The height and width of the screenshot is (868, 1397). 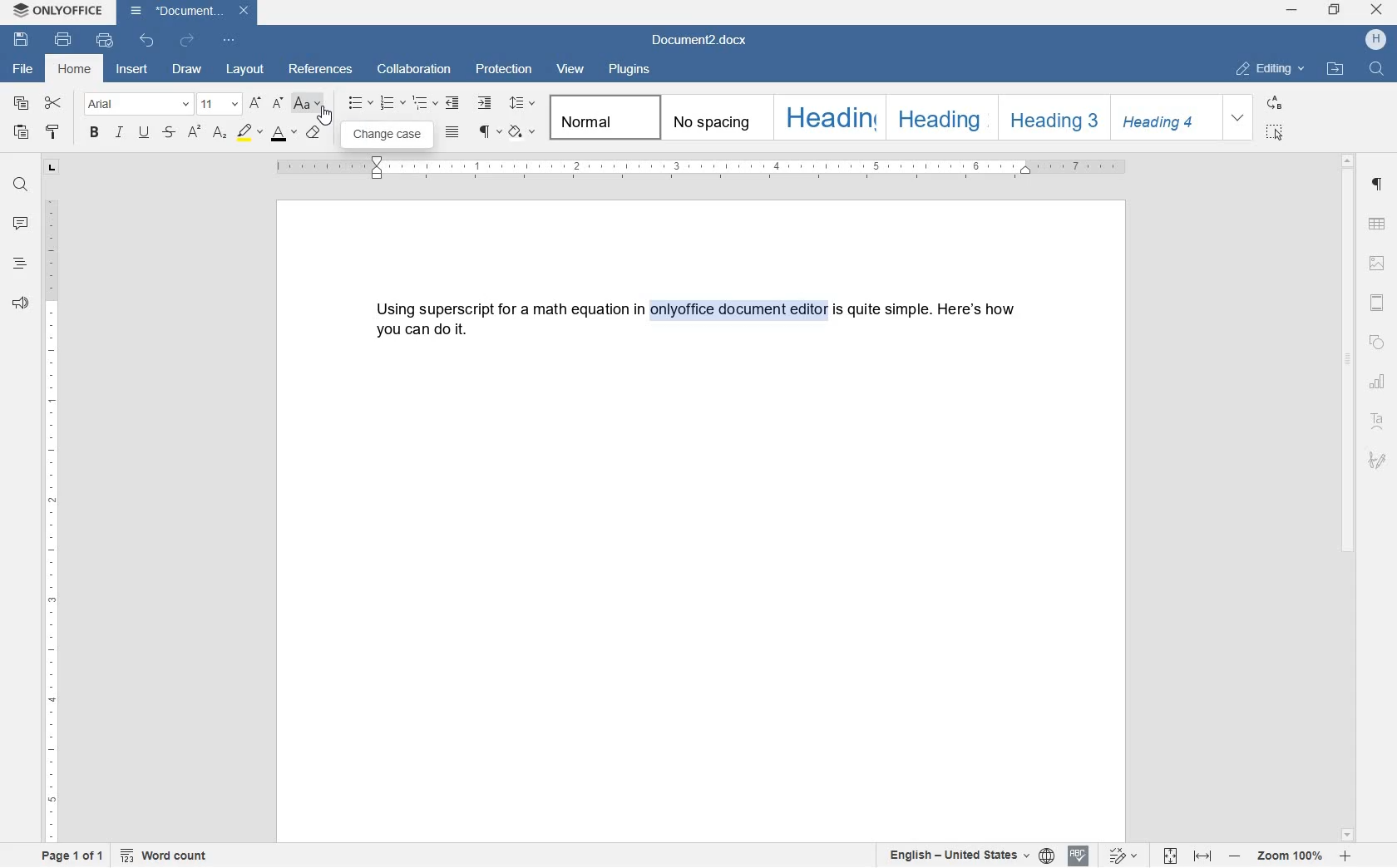 I want to click on Document2.docx, so click(x=700, y=40).